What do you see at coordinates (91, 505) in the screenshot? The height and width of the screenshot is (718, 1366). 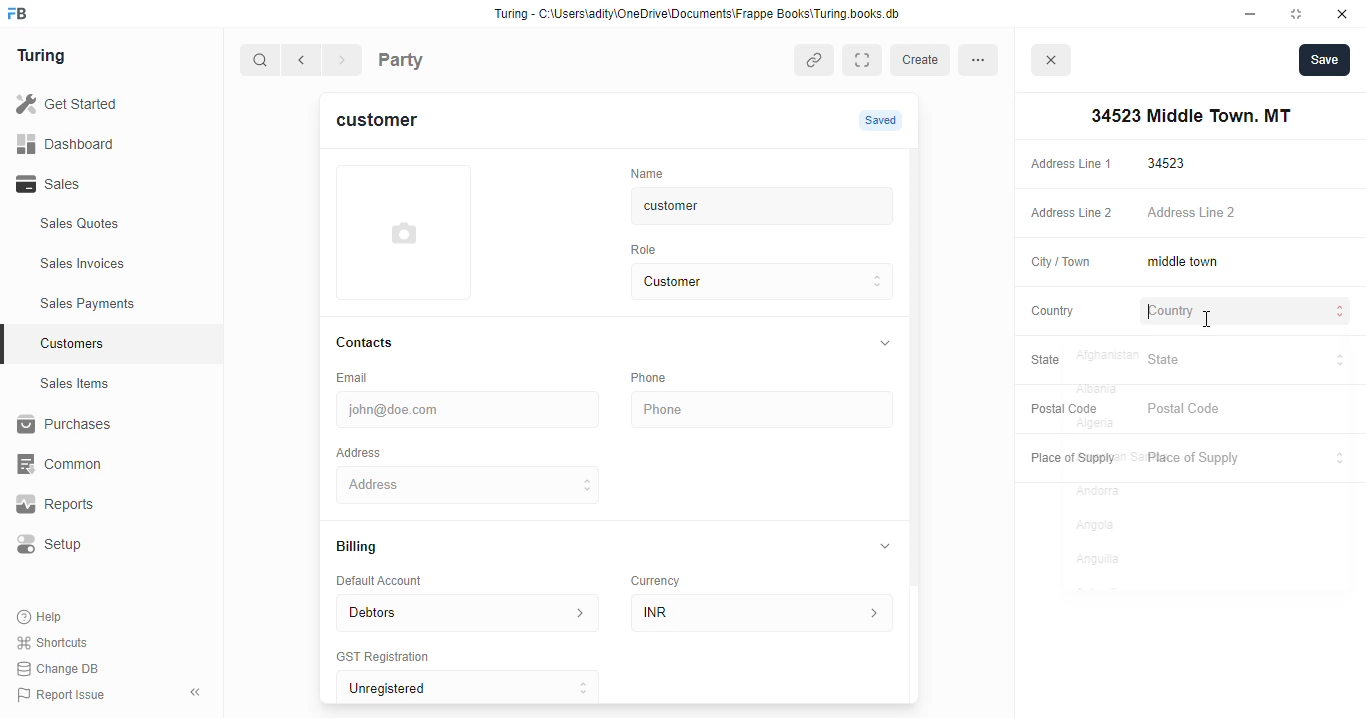 I see `Reports` at bounding box center [91, 505].